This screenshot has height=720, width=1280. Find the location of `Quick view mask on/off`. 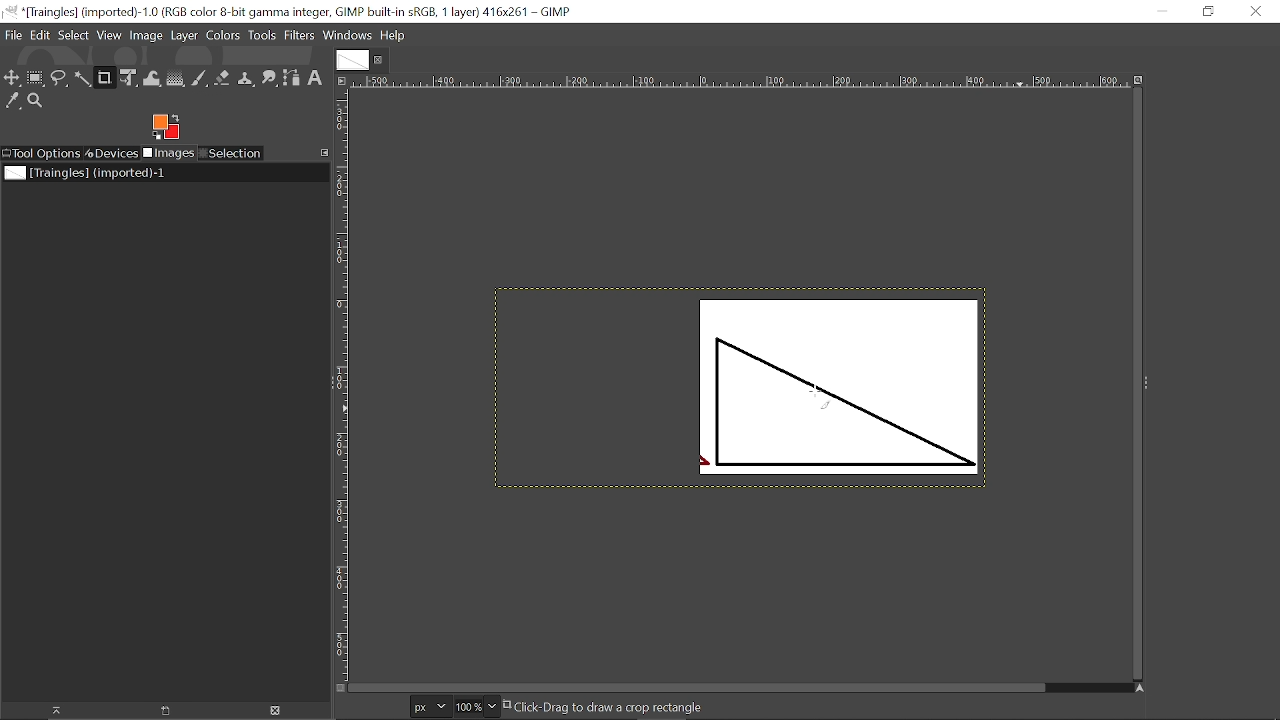

Quick view mask on/off is located at coordinates (339, 688).